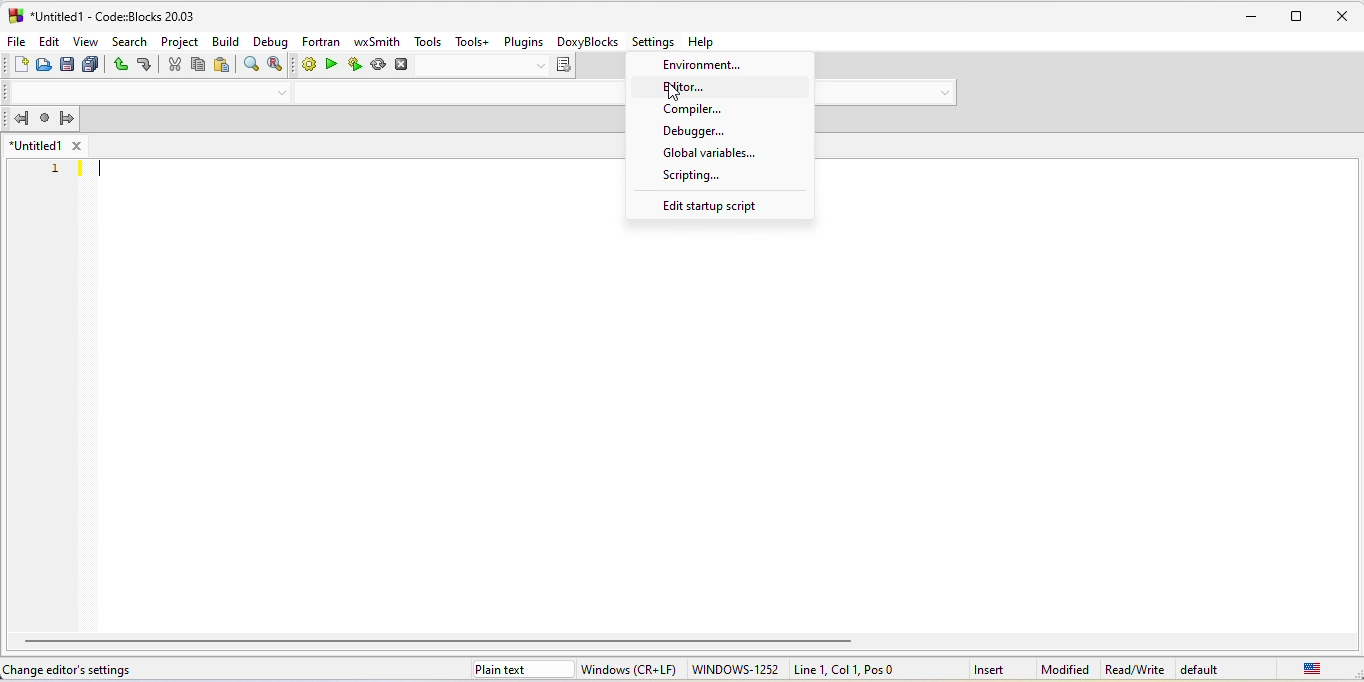 The width and height of the screenshot is (1364, 682). I want to click on debug, so click(272, 41).